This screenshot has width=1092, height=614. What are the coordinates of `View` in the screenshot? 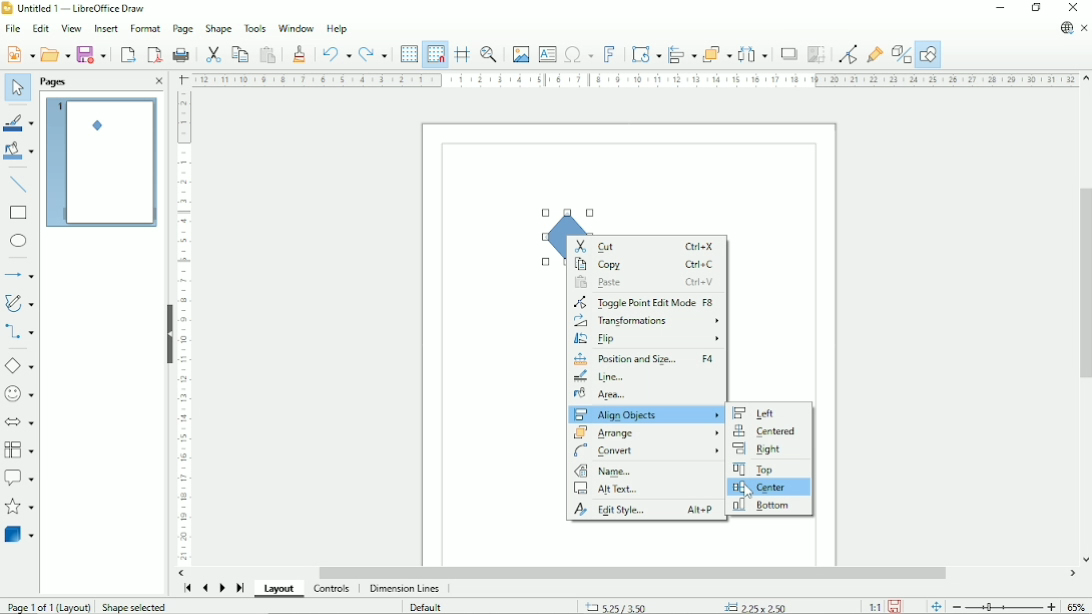 It's located at (73, 28).